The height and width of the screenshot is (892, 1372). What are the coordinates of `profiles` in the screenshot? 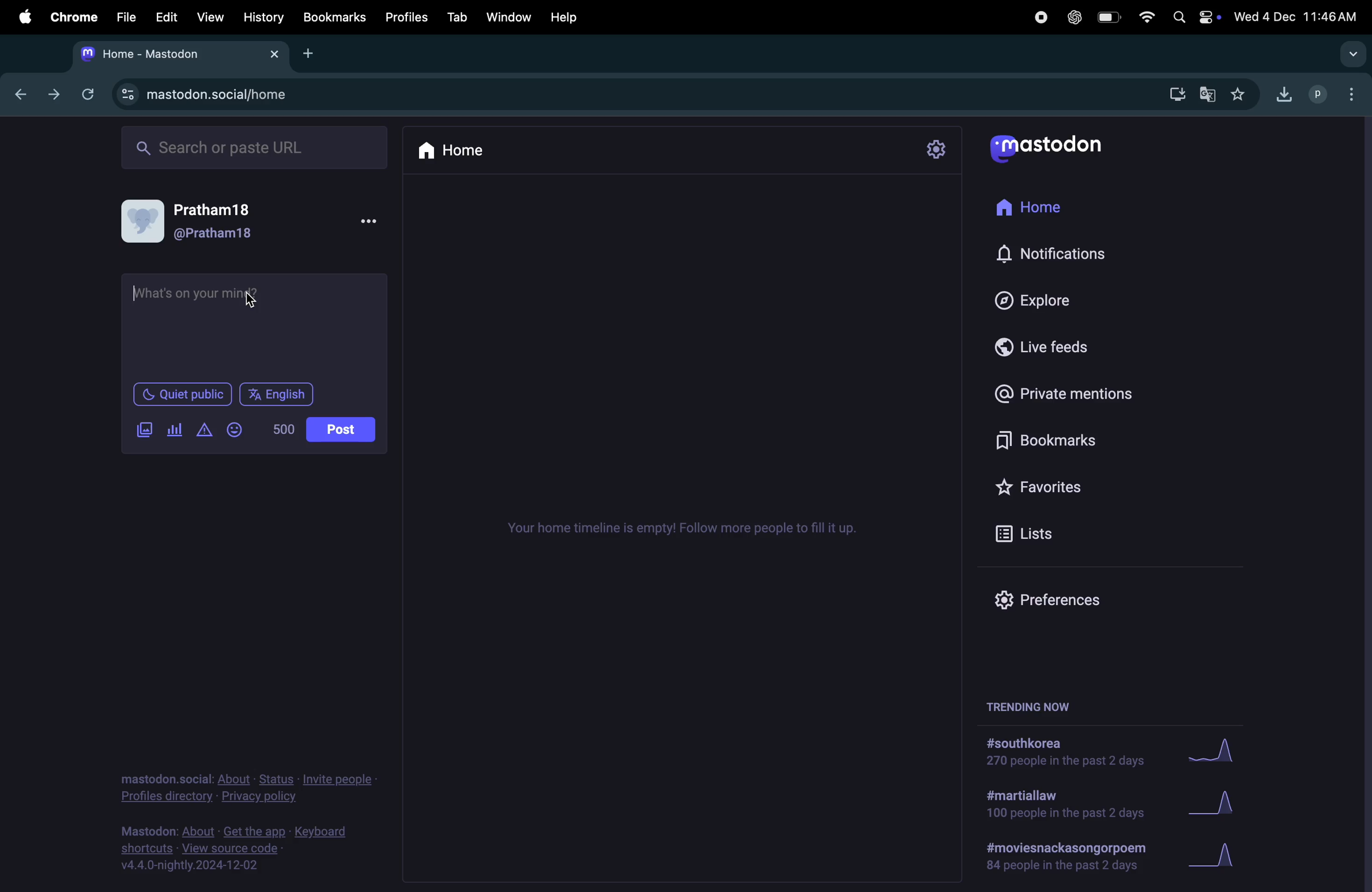 It's located at (405, 17).